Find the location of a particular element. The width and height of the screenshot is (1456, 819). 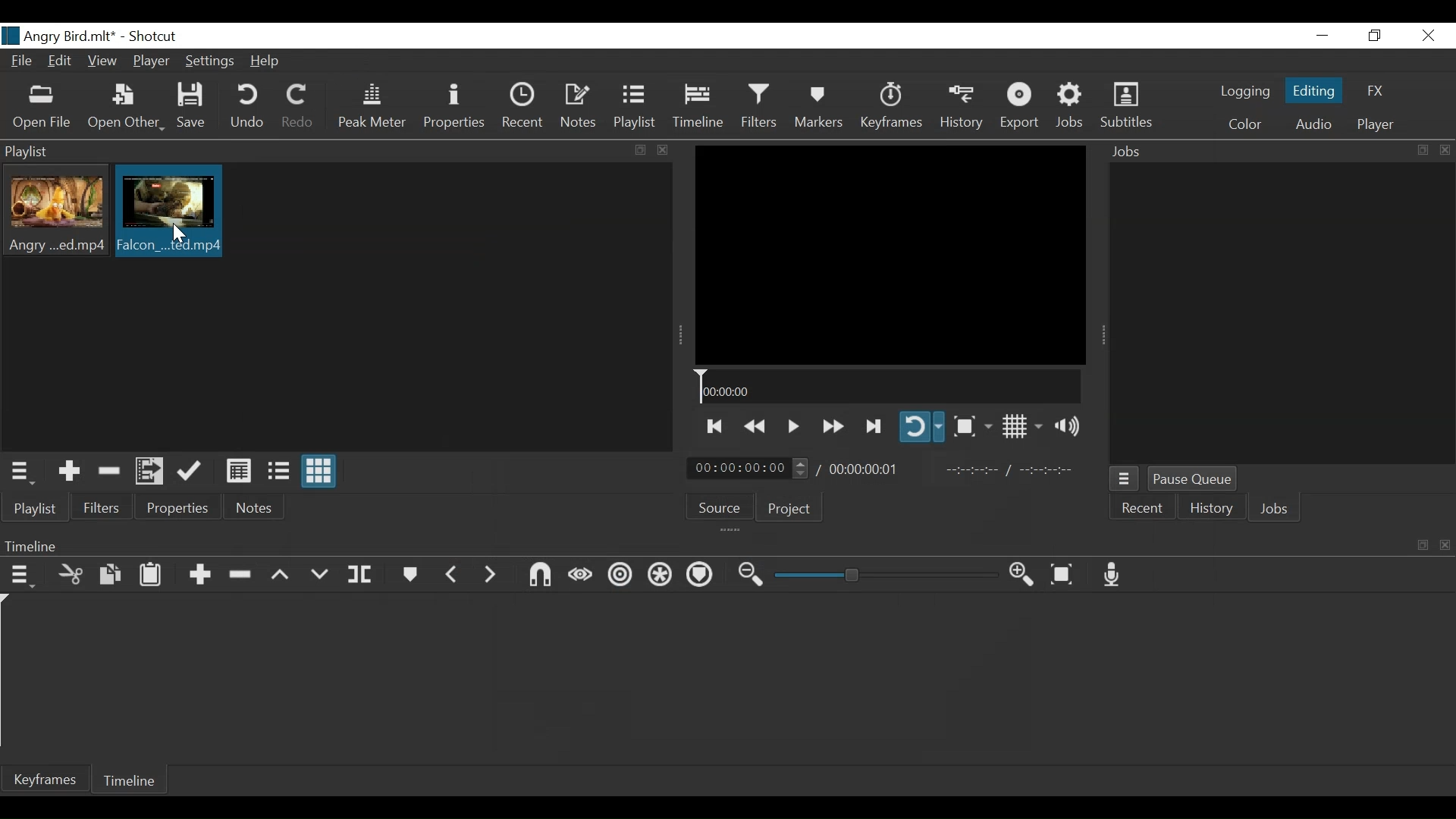

Copy is located at coordinates (112, 577).